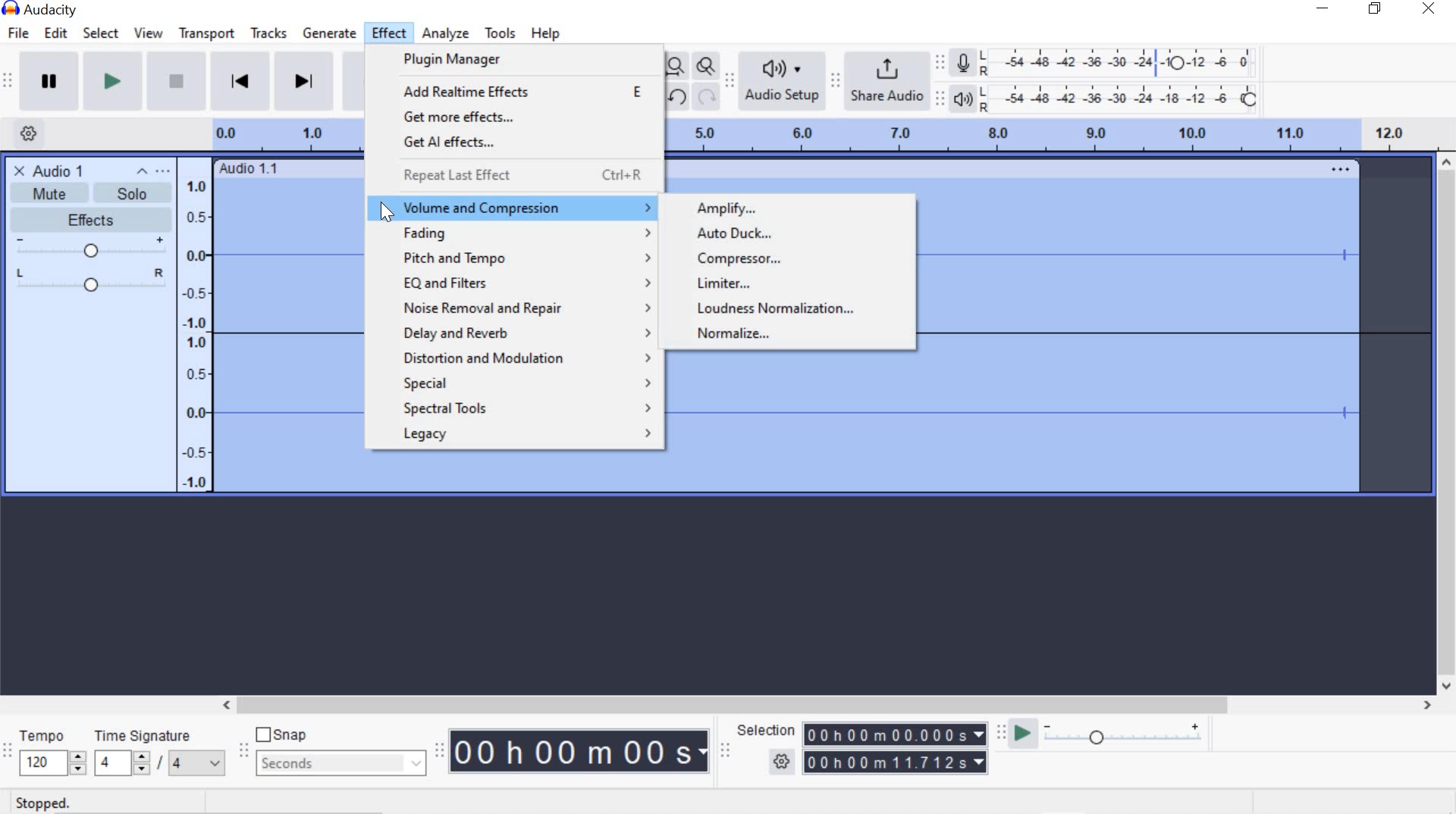 This screenshot has width=1456, height=814. What do you see at coordinates (783, 762) in the screenshot?
I see `SELECTION OPTION` at bounding box center [783, 762].